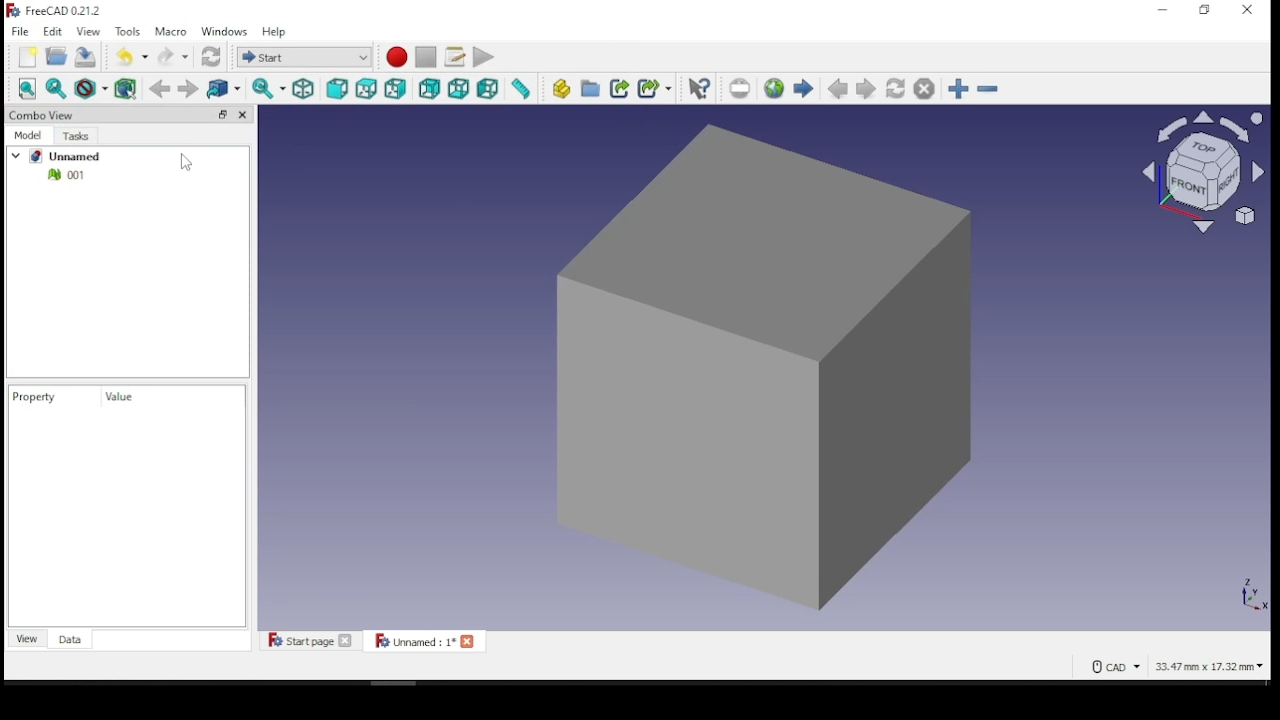  I want to click on macros, so click(454, 56).